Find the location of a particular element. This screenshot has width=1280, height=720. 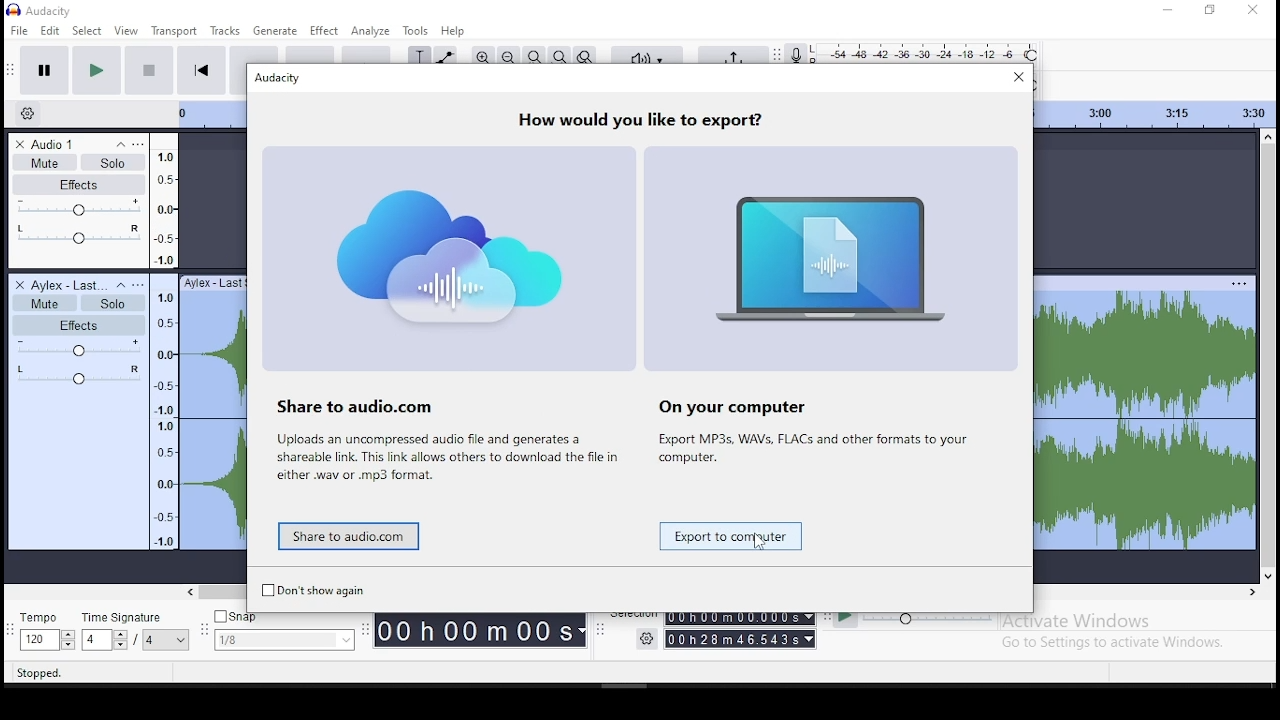

00h00M00s is located at coordinates (480, 632).